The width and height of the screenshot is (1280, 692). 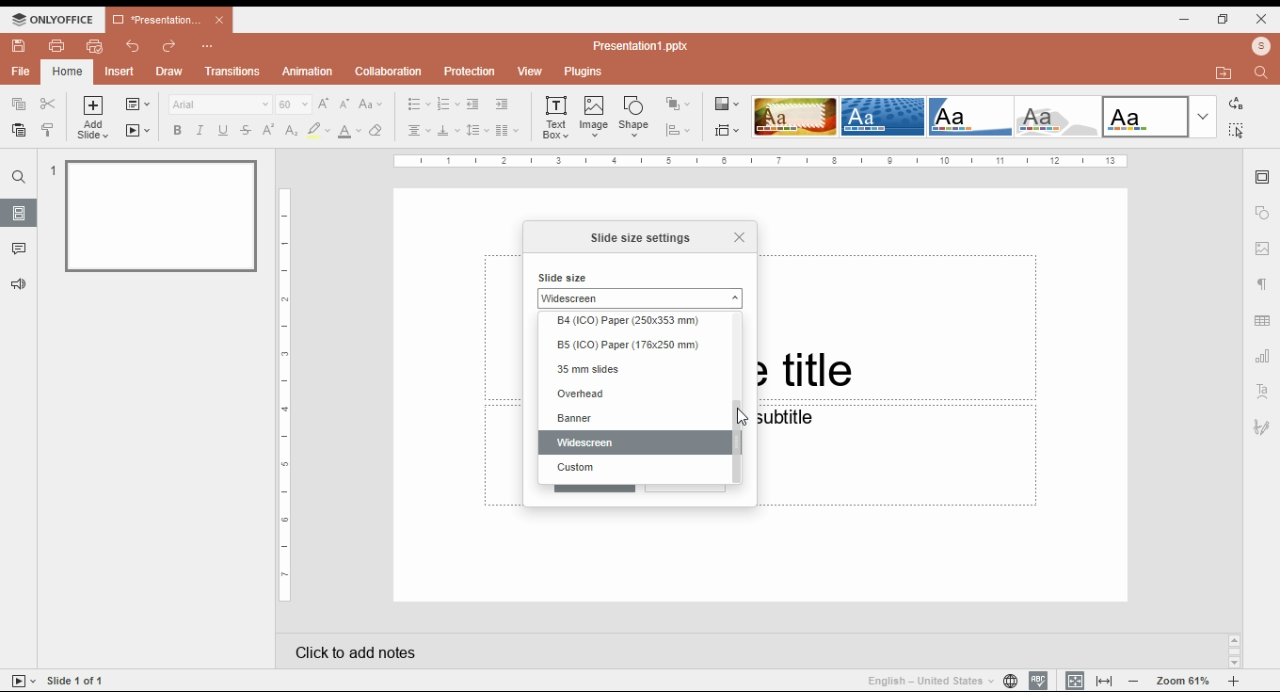 What do you see at coordinates (19, 177) in the screenshot?
I see `find` at bounding box center [19, 177].